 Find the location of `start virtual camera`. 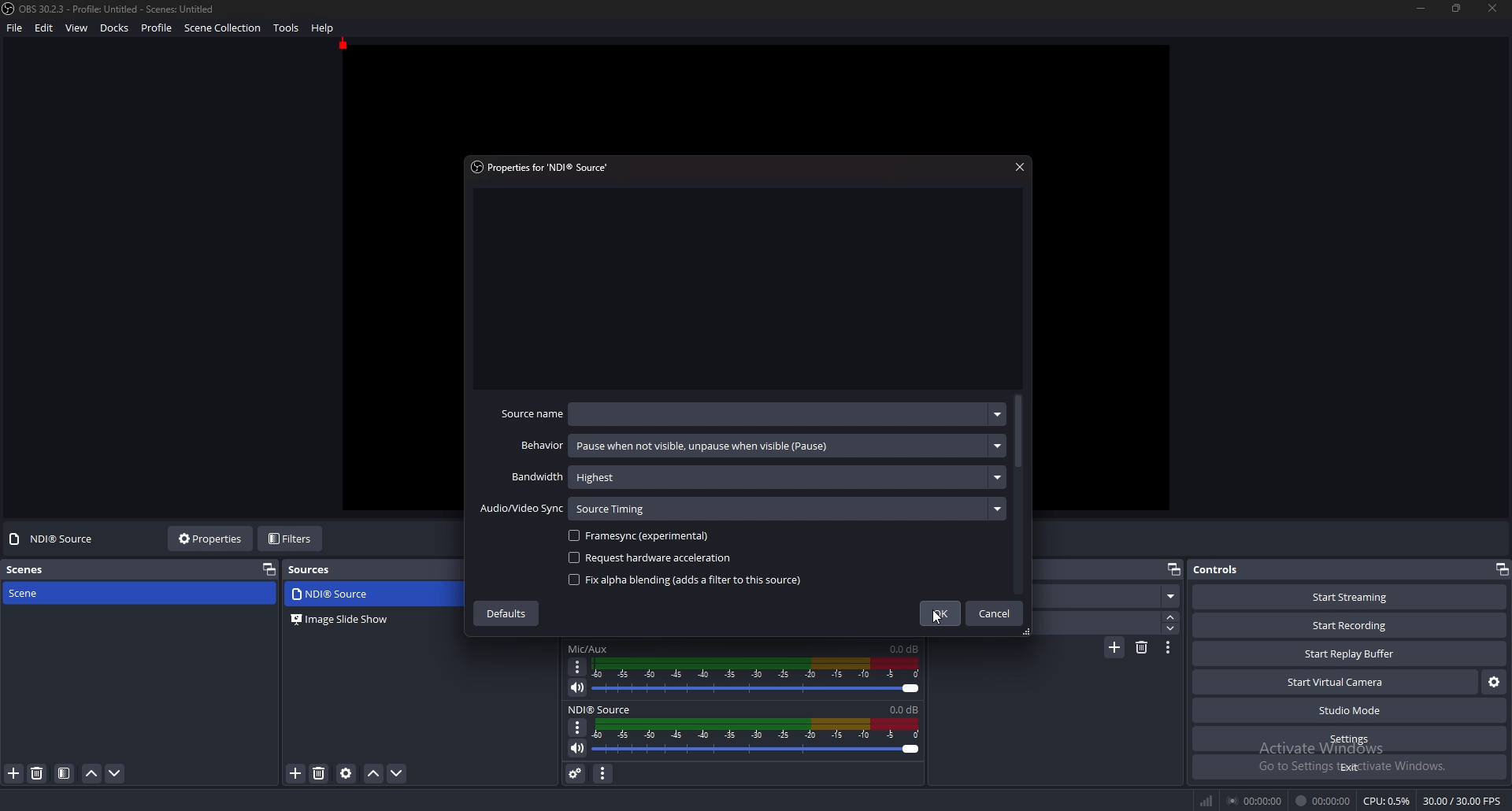

start virtual camera is located at coordinates (1336, 682).